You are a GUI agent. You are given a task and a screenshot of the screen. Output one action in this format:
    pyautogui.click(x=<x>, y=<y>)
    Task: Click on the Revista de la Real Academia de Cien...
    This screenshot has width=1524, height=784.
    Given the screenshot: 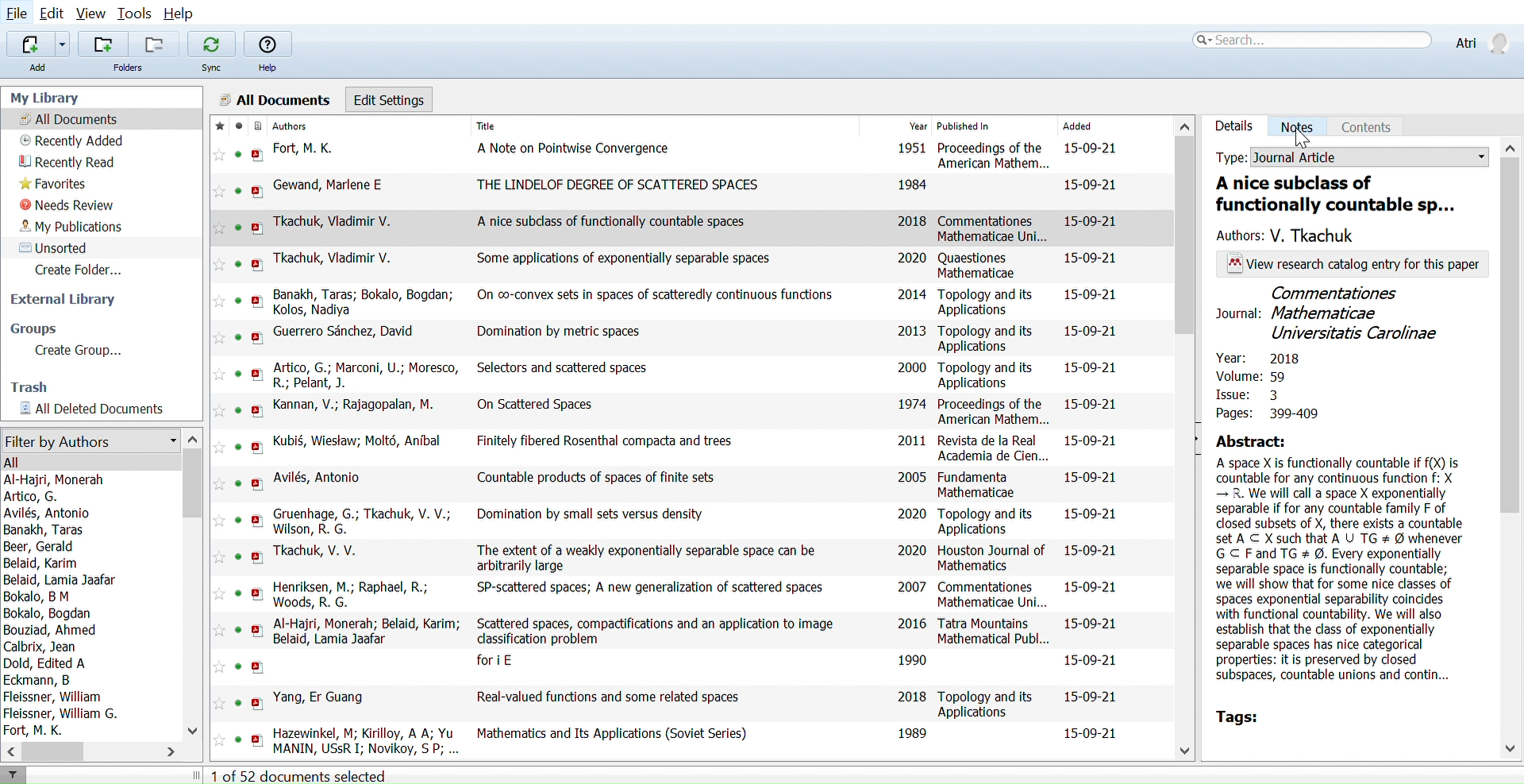 What is the action you would take?
    pyautogui.click(x=995, y=448)
    